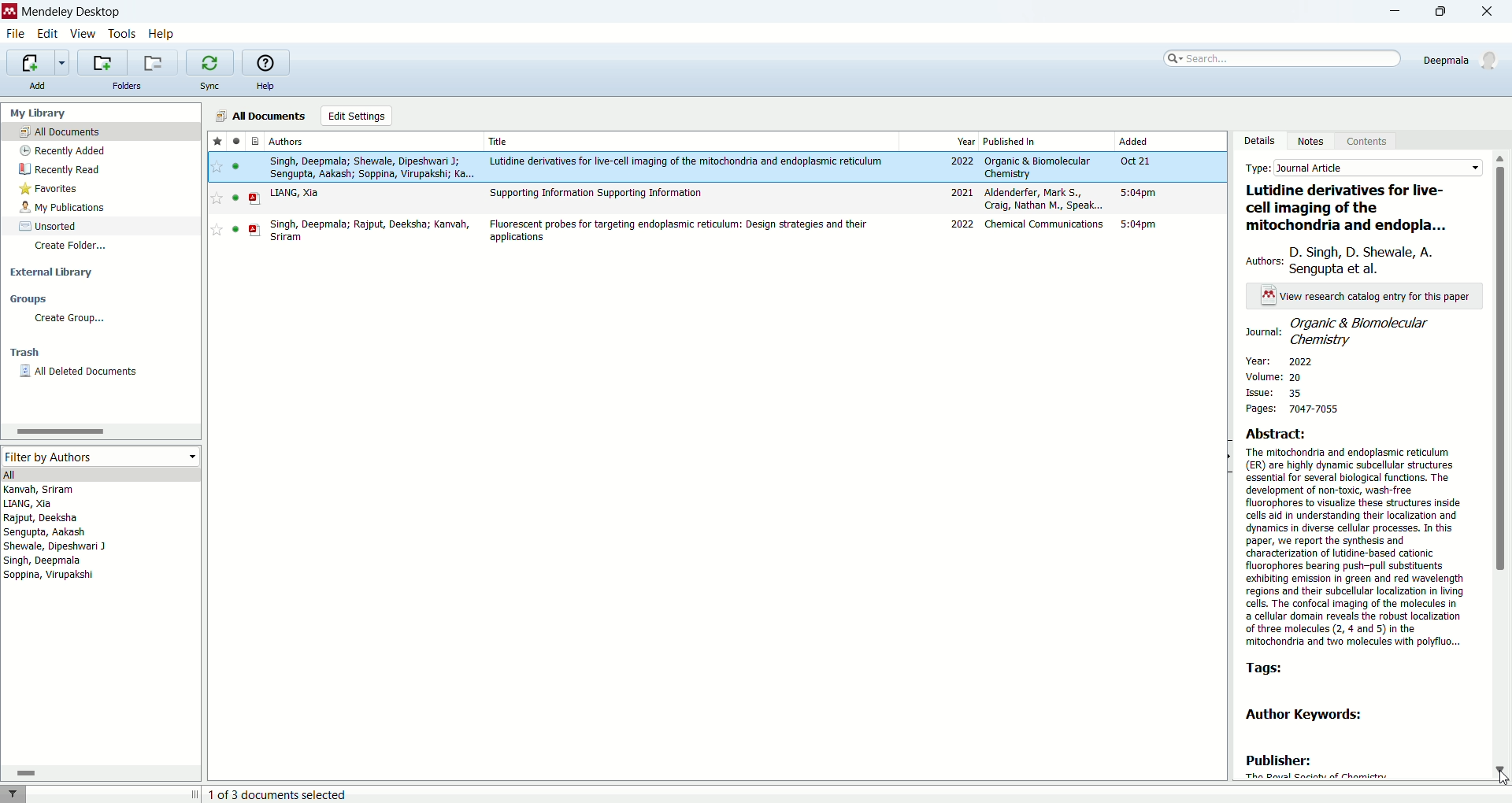 The image size is (1512, 803). I want to click on filter by authors, so click(98, 456).